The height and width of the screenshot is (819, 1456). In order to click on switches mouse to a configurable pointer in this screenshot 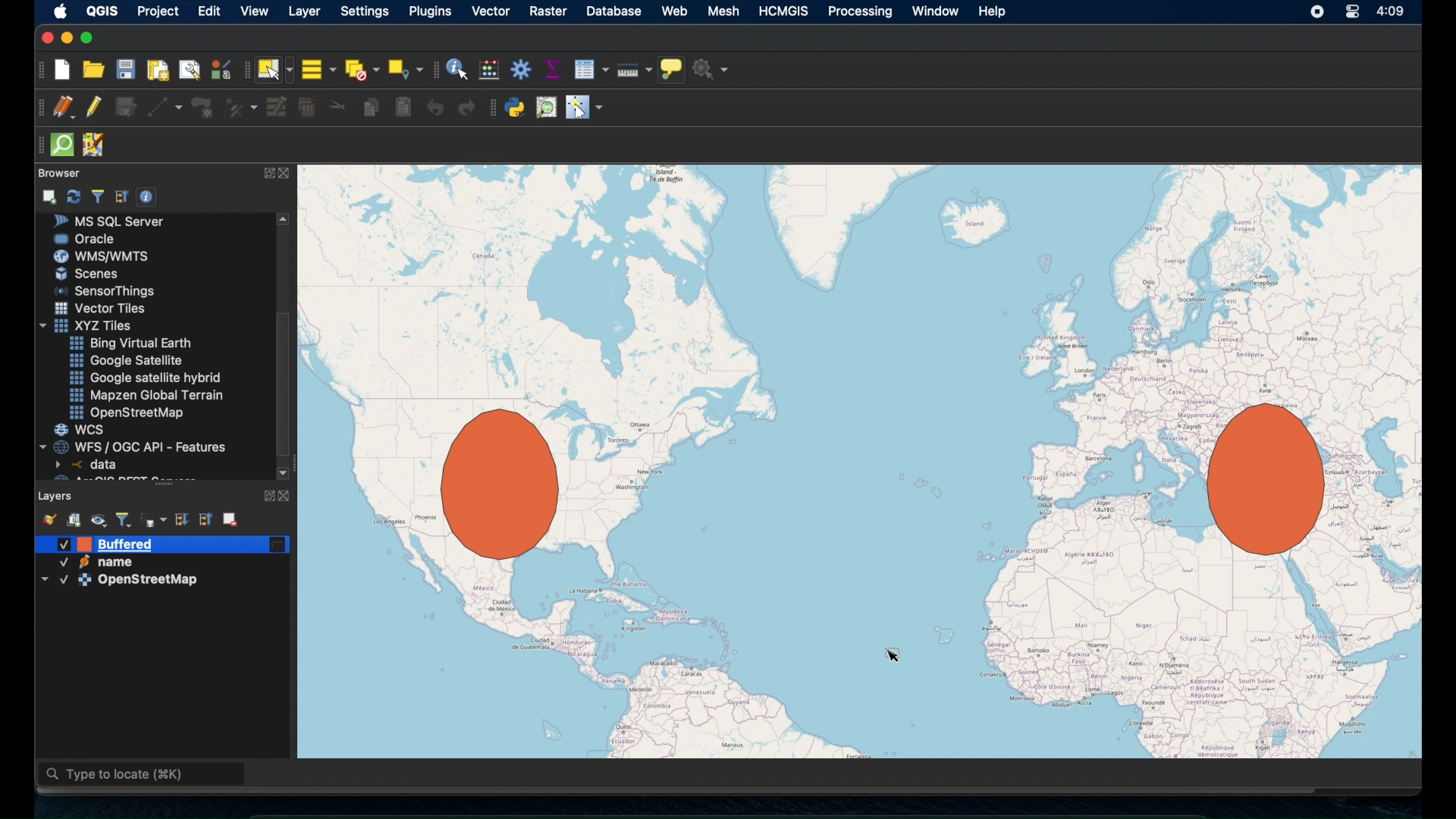, I will do `click(584, 108)`.